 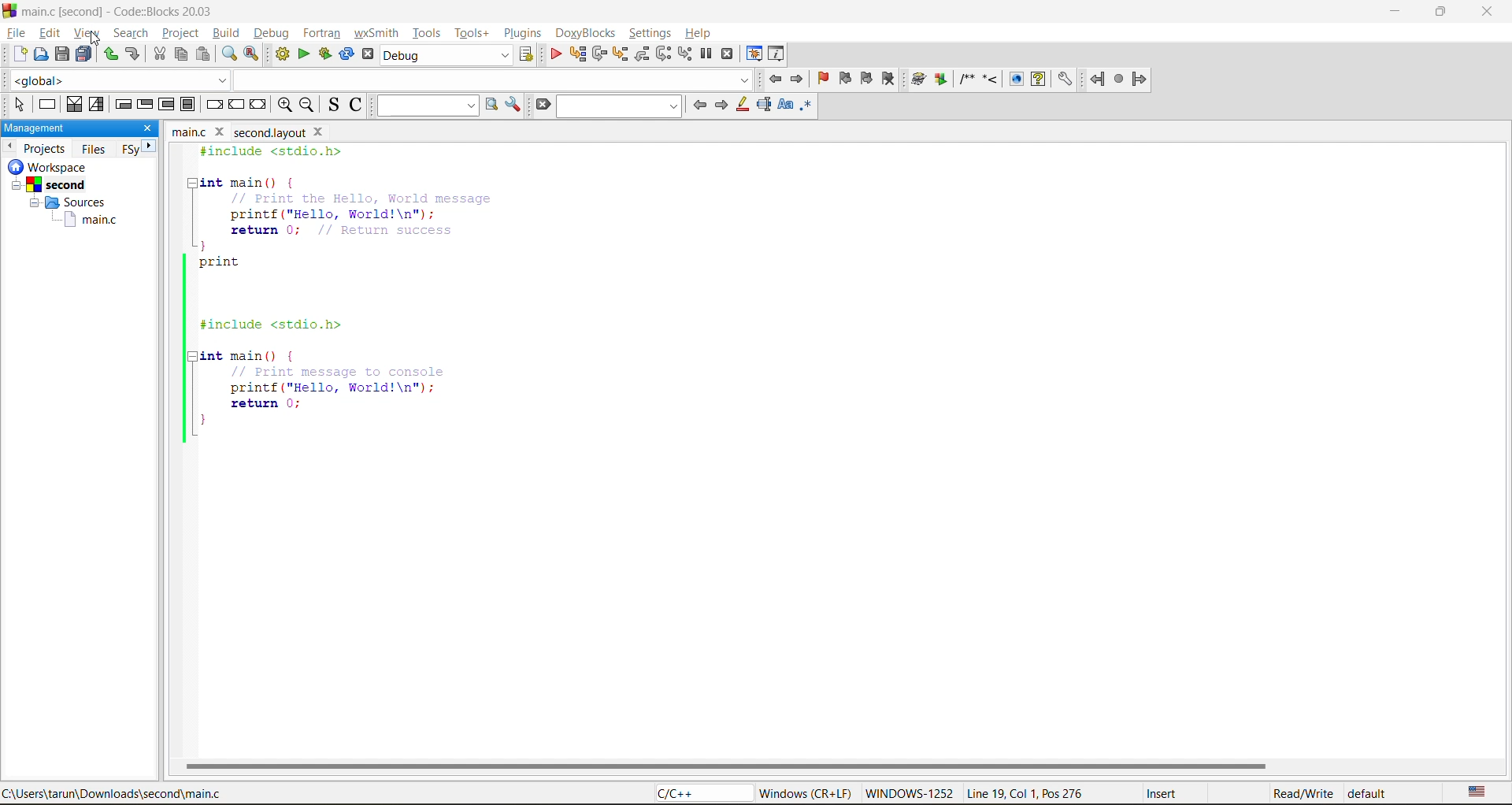 What do you see at coordinates (244, 132) in the screenshot?
I see `file name` at bounding box center [244, 132].